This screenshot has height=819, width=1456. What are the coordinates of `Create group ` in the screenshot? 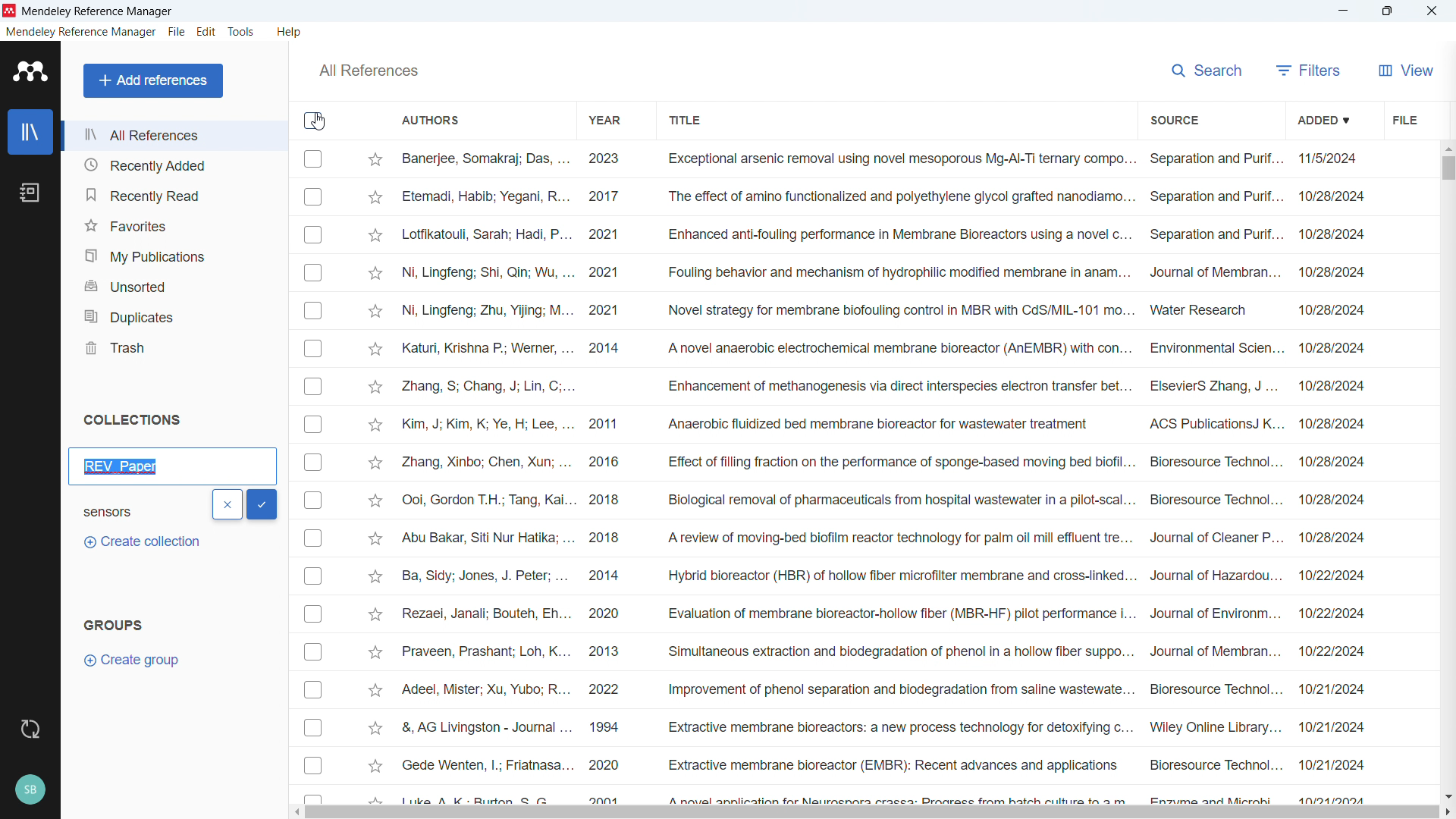 It's located at (135, 660).